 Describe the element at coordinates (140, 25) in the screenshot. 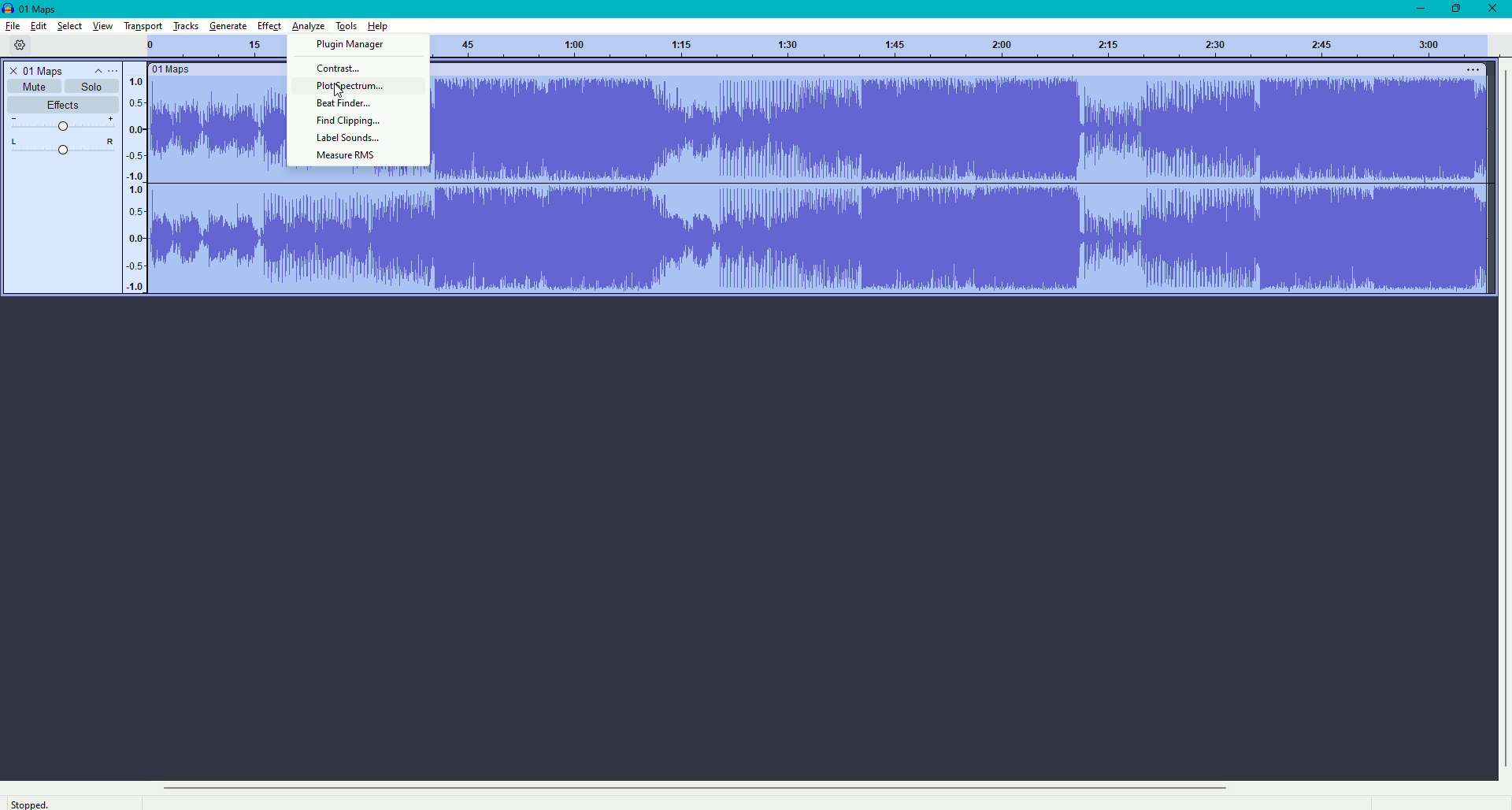

I see `Transport` at that location.